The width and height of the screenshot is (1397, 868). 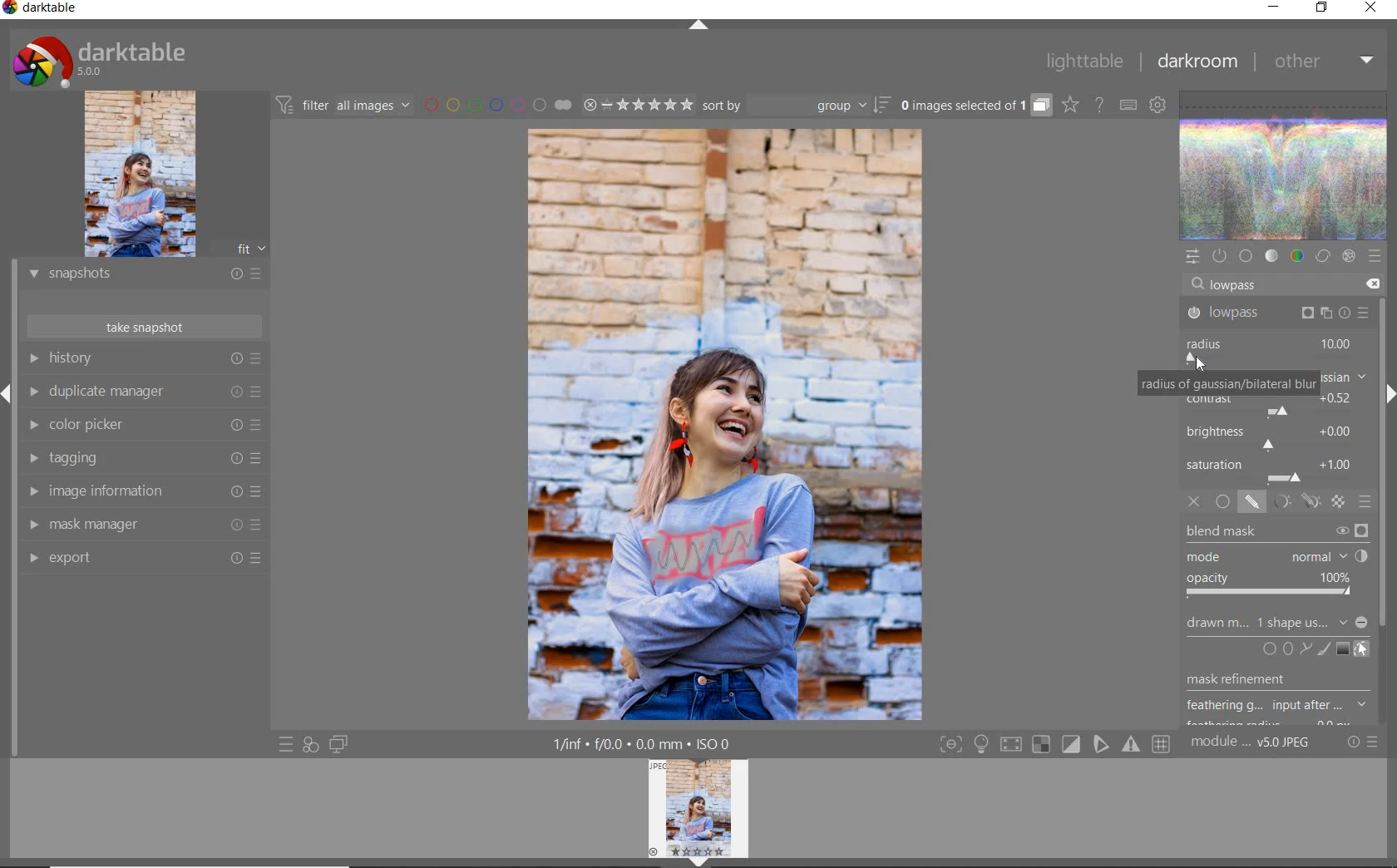 What do you see at coordinates (150, 359) in the screenshot?
I see `history` at bounding box center [150, 359].